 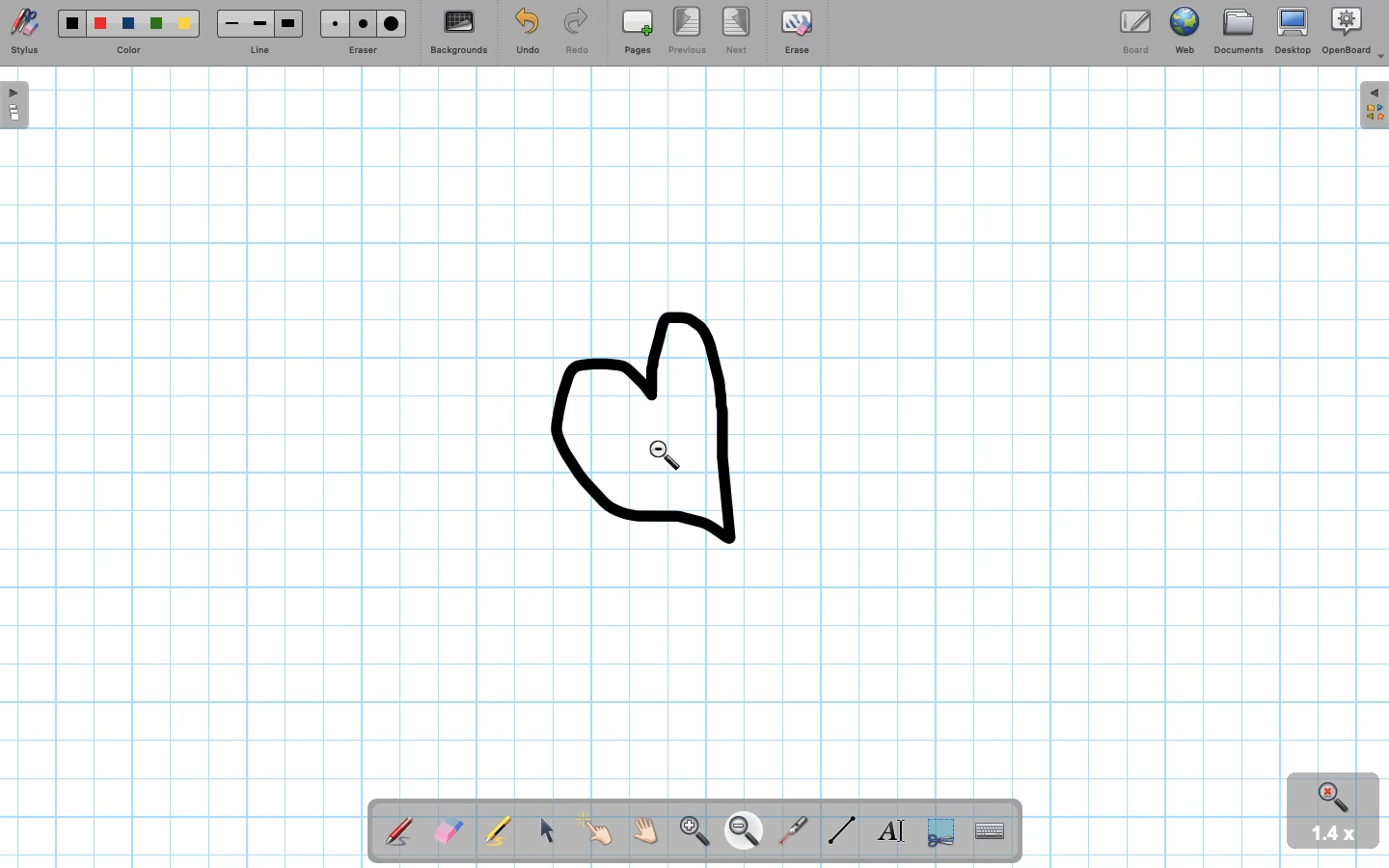 I want to click on Zoom out point, so click(x=665, y=455).